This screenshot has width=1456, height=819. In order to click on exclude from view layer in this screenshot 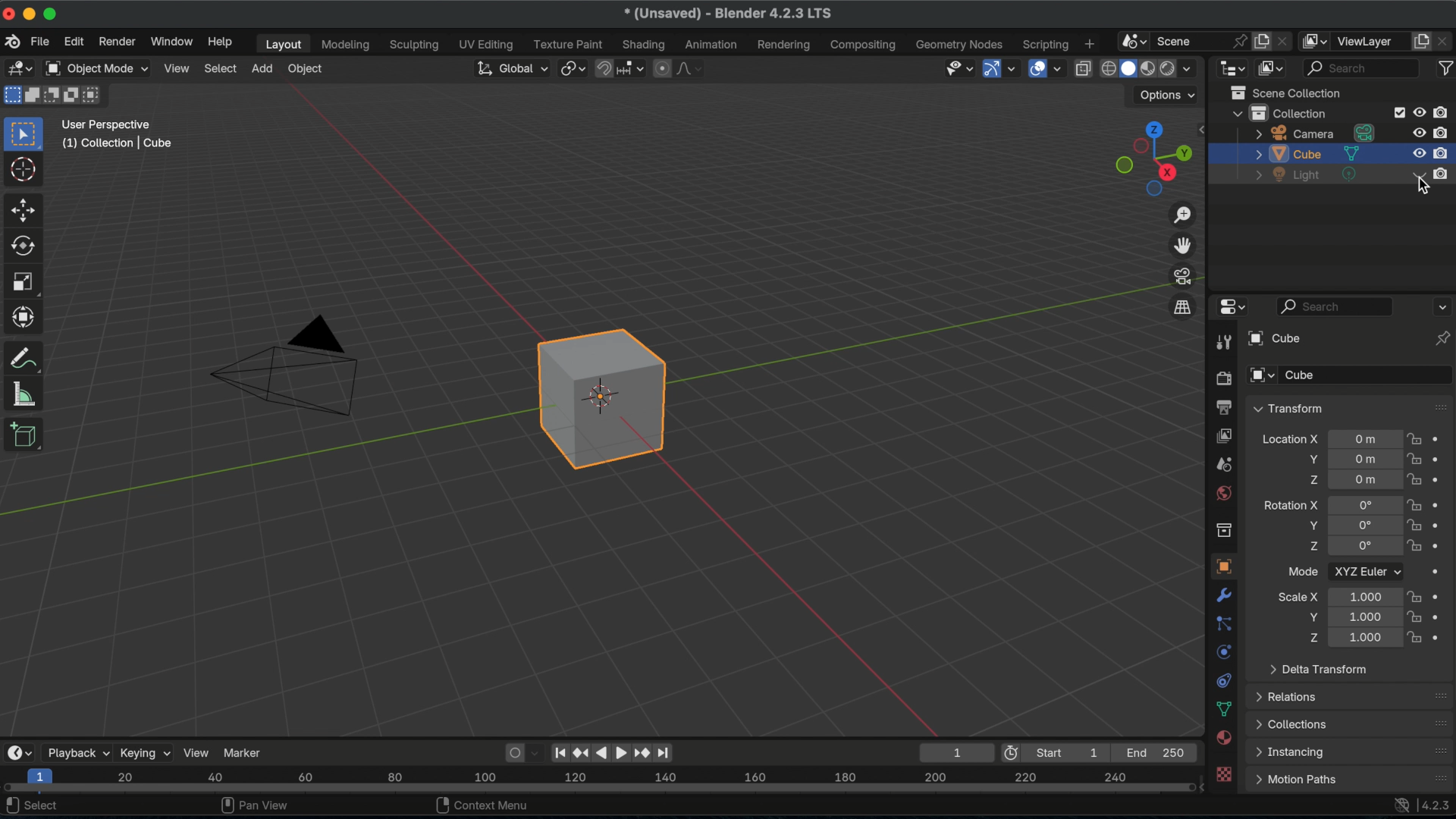, I will do `click(1398, 112)`.